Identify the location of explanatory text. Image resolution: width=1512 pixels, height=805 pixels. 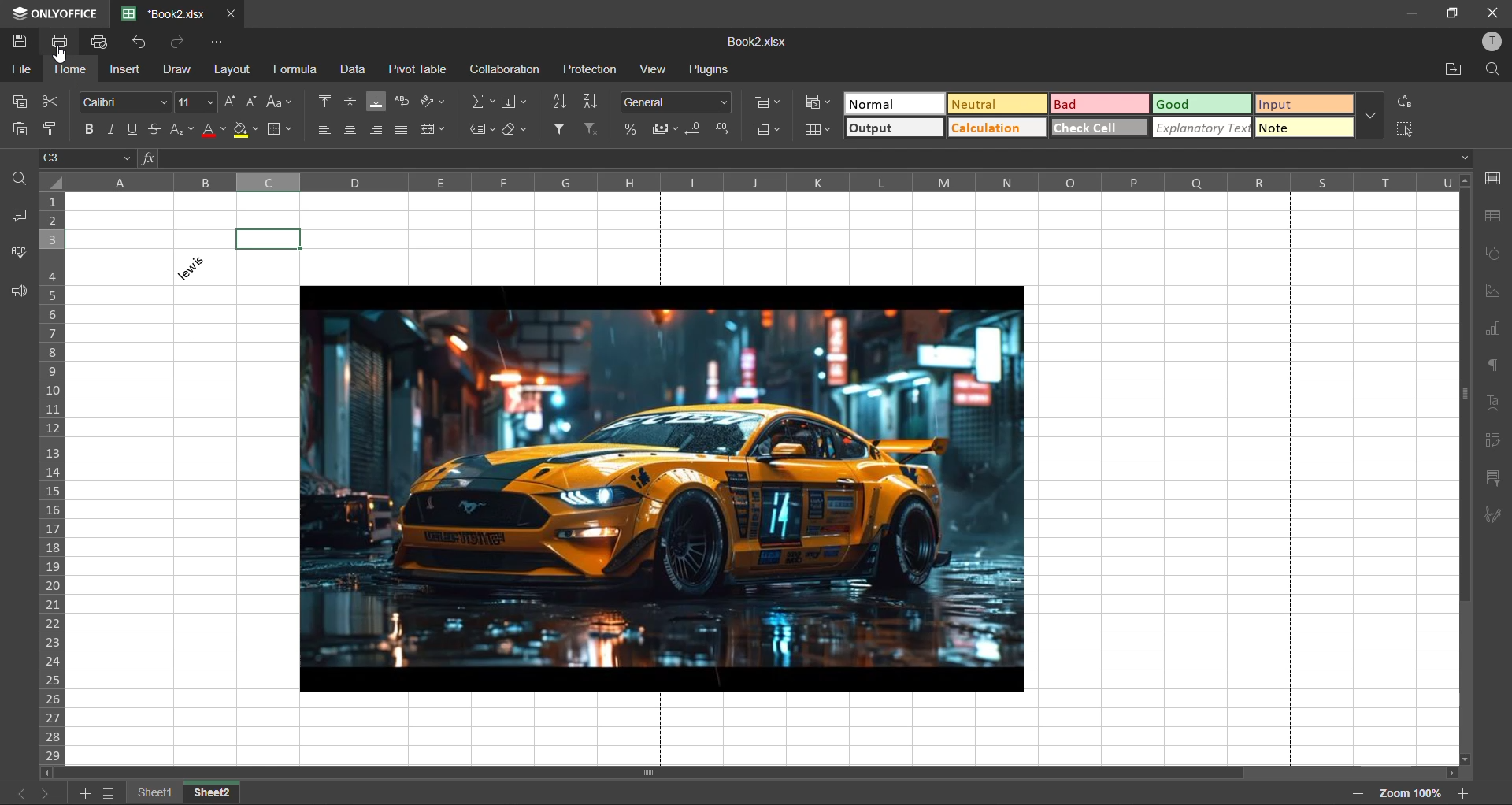
(1203, 128).